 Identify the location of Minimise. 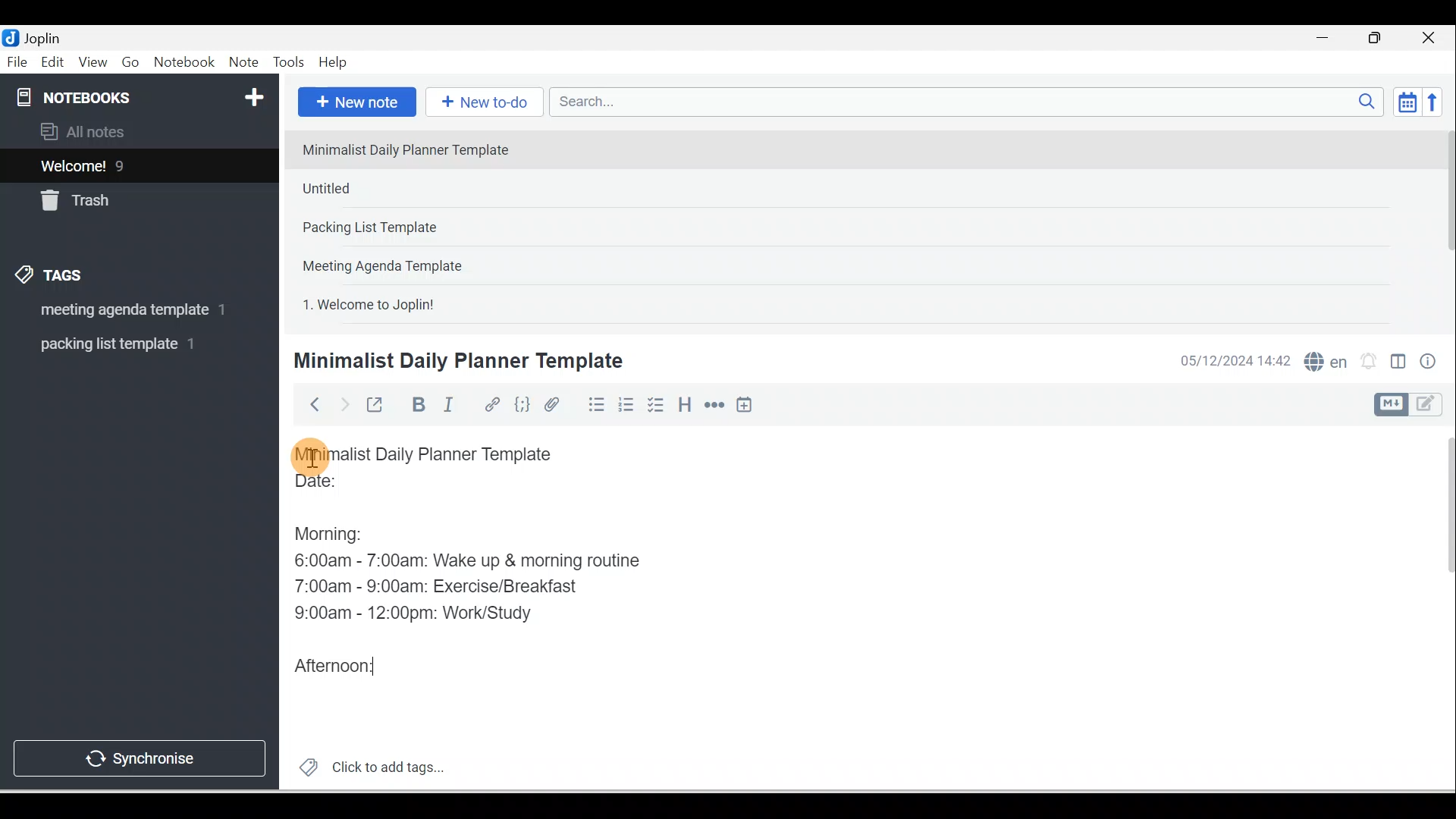
(1327, 39).